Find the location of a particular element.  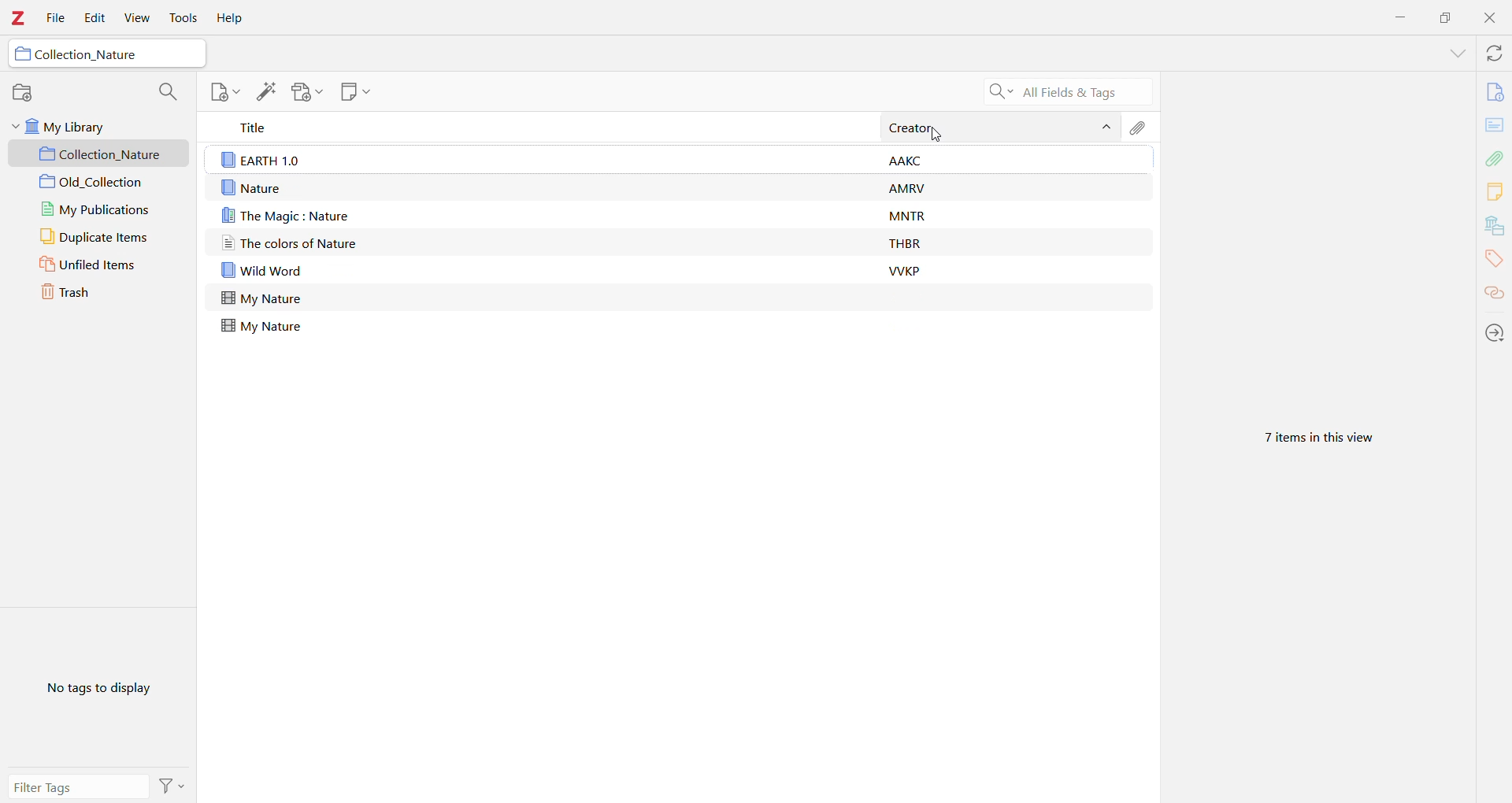

List All Tabs is located at coordinates (1456, 52).